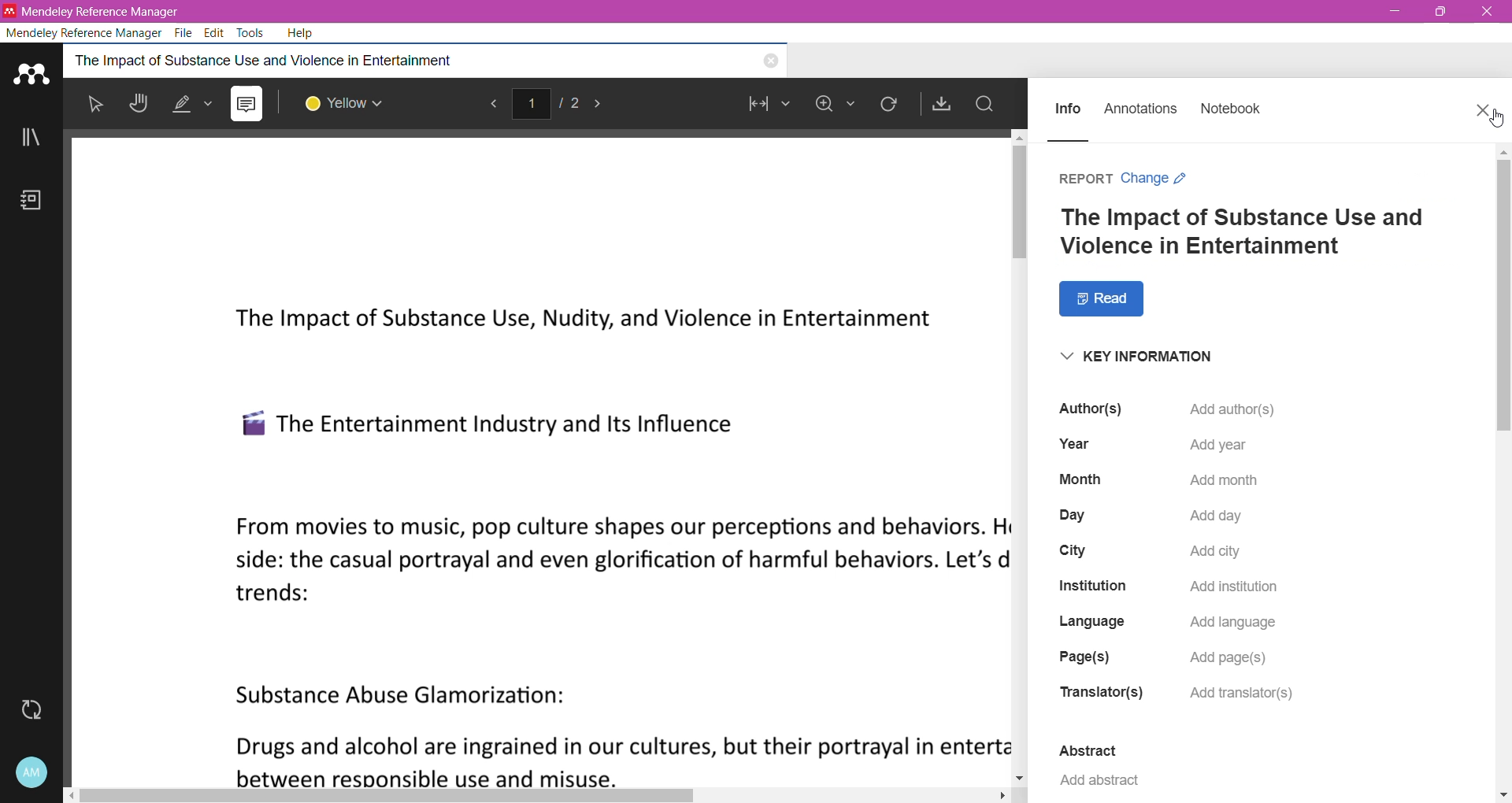 This screenshot has width=1512, height=803. What do you see at coordinates (765, 106) in the screenshot?
I see `Set Page View Mode` at bounding box center [765, 106].